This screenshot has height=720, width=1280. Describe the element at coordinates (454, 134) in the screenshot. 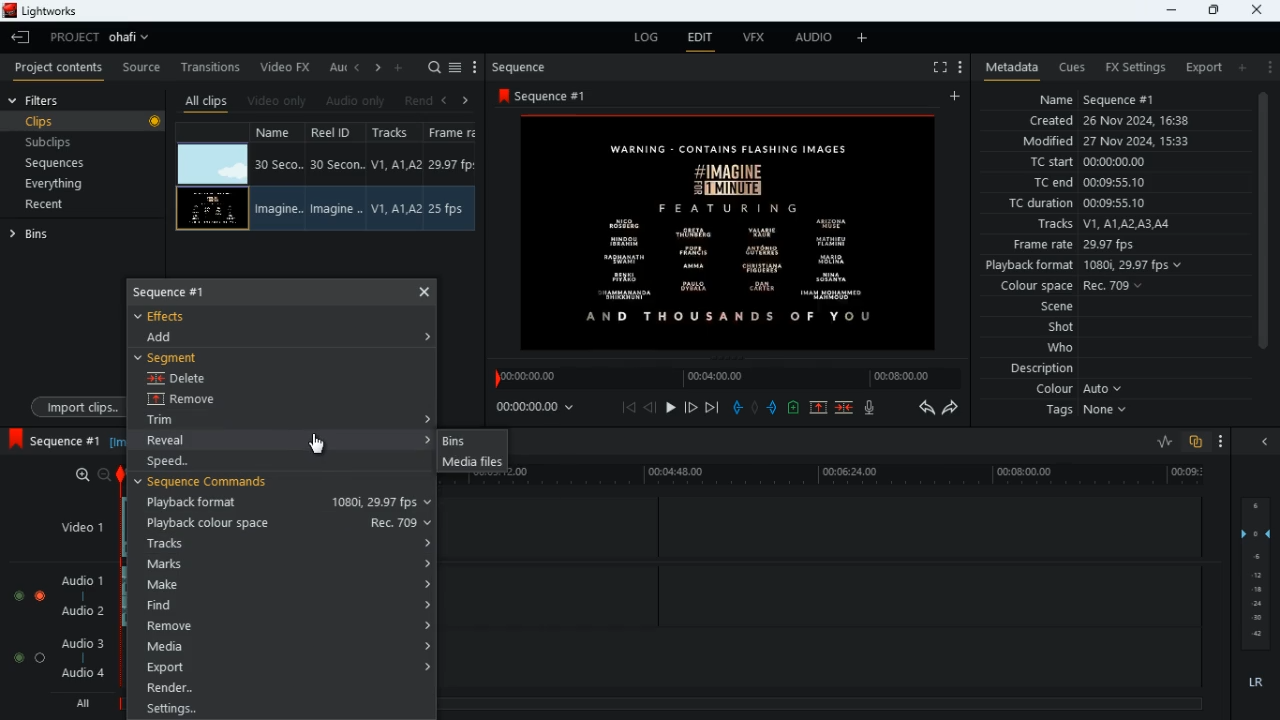

I see `fps` at that location.